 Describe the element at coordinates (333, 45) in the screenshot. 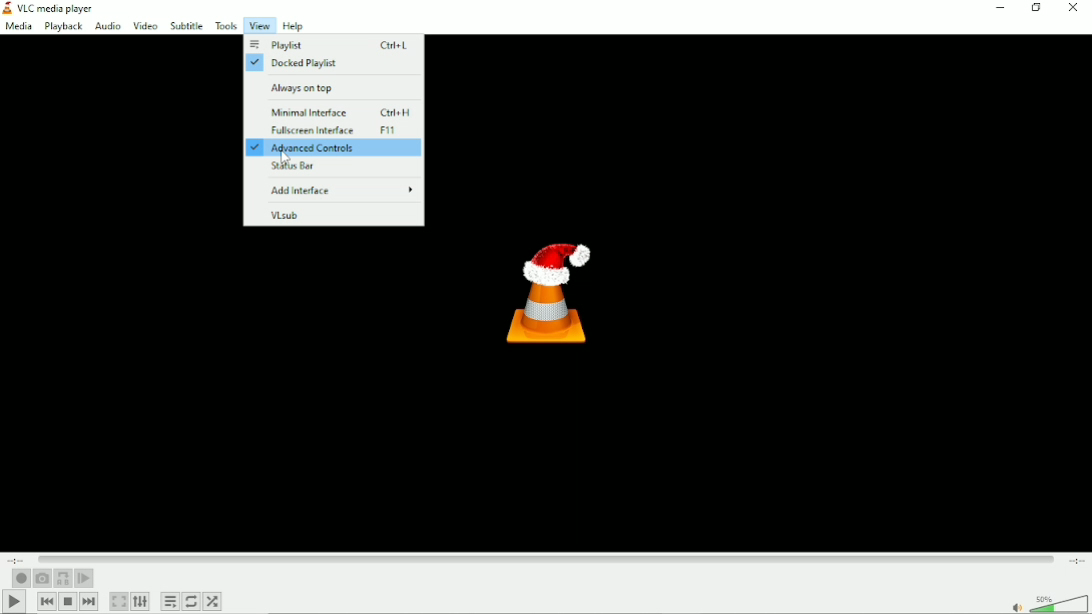

I see `Playlist` at that location.